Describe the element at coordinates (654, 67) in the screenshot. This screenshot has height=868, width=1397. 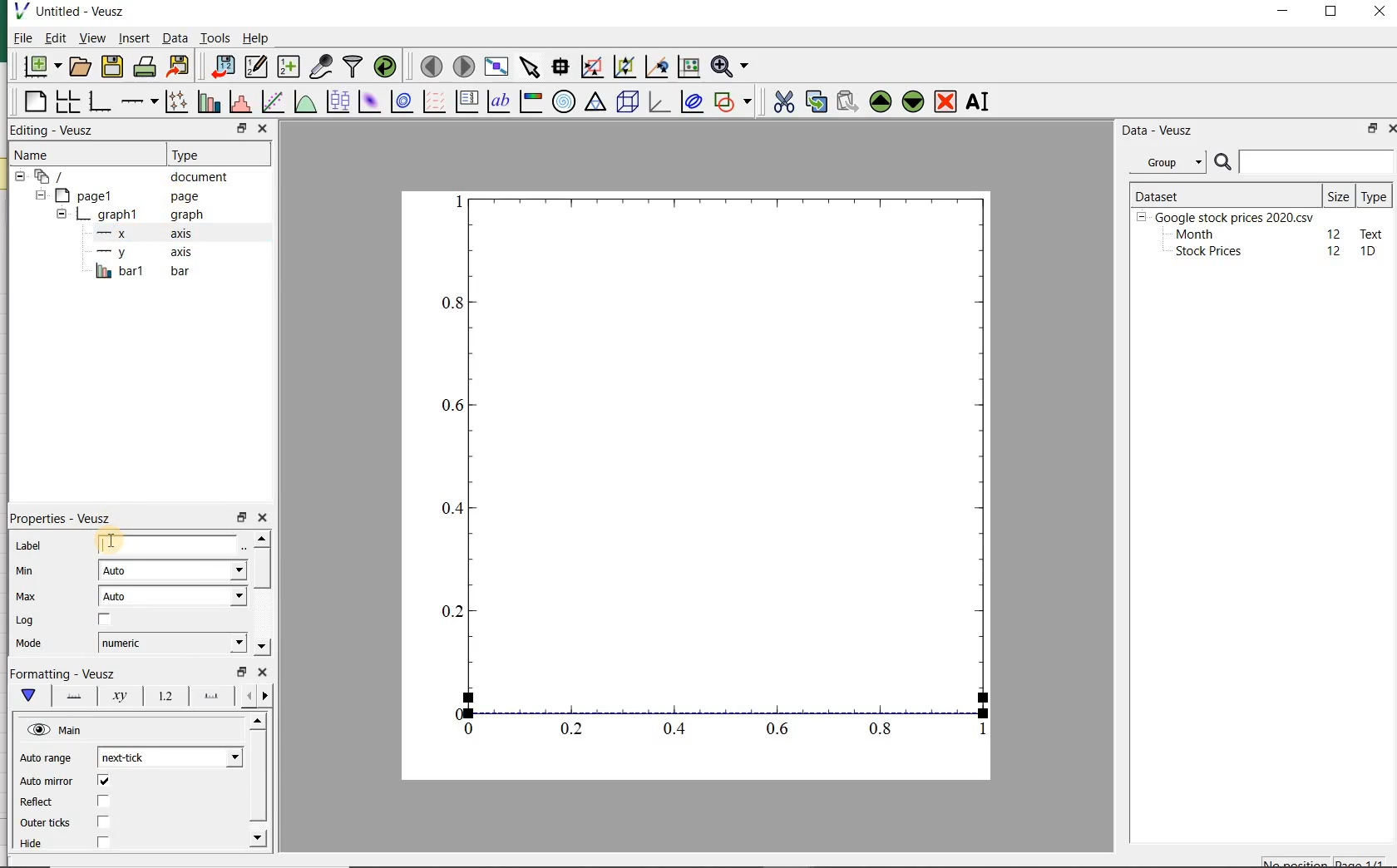
I see `click to recenter graph axes` at that location.